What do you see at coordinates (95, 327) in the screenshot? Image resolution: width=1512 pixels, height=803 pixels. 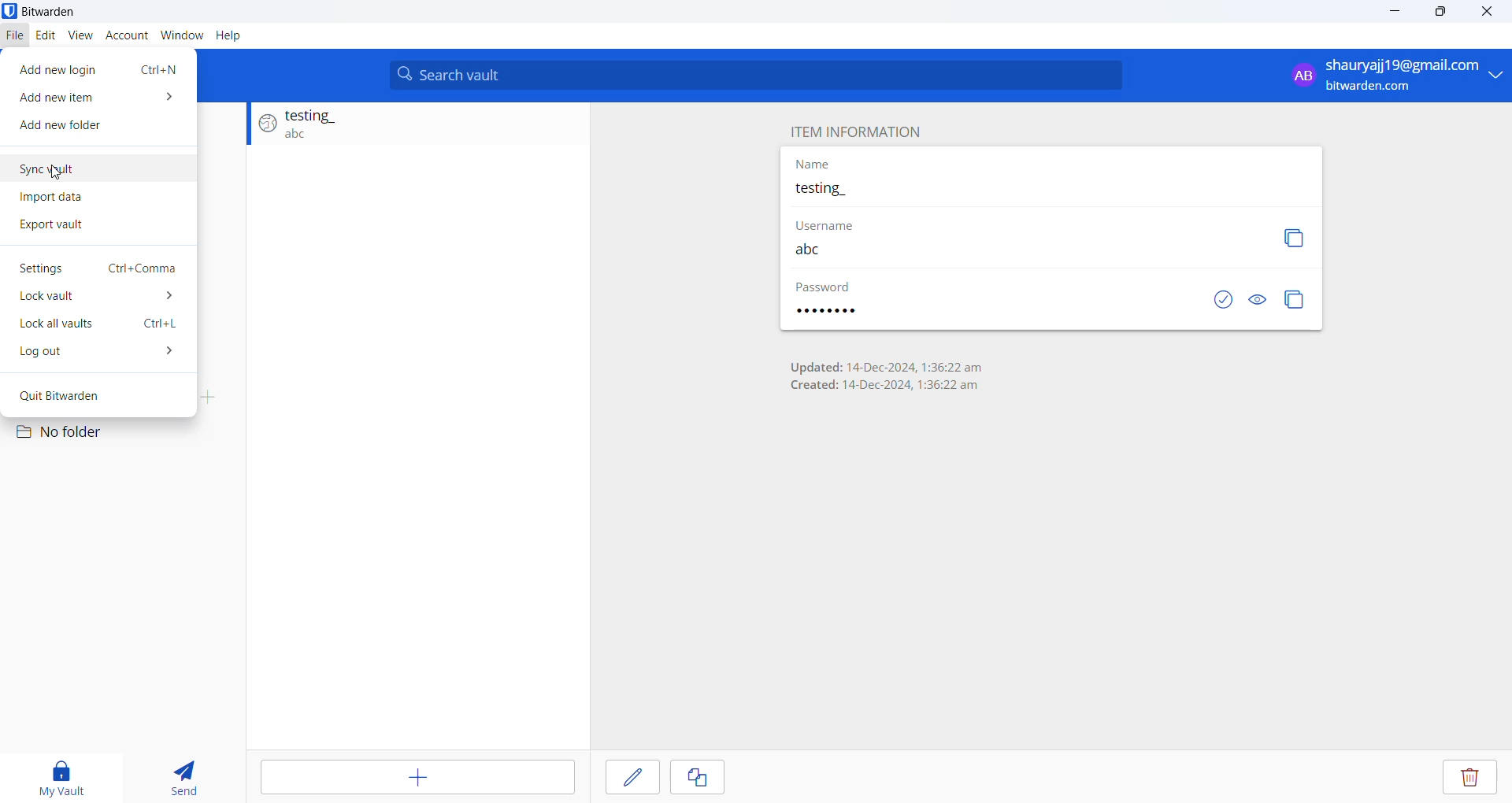 I see `Lock all vaults` at bounding box center [95, 327].